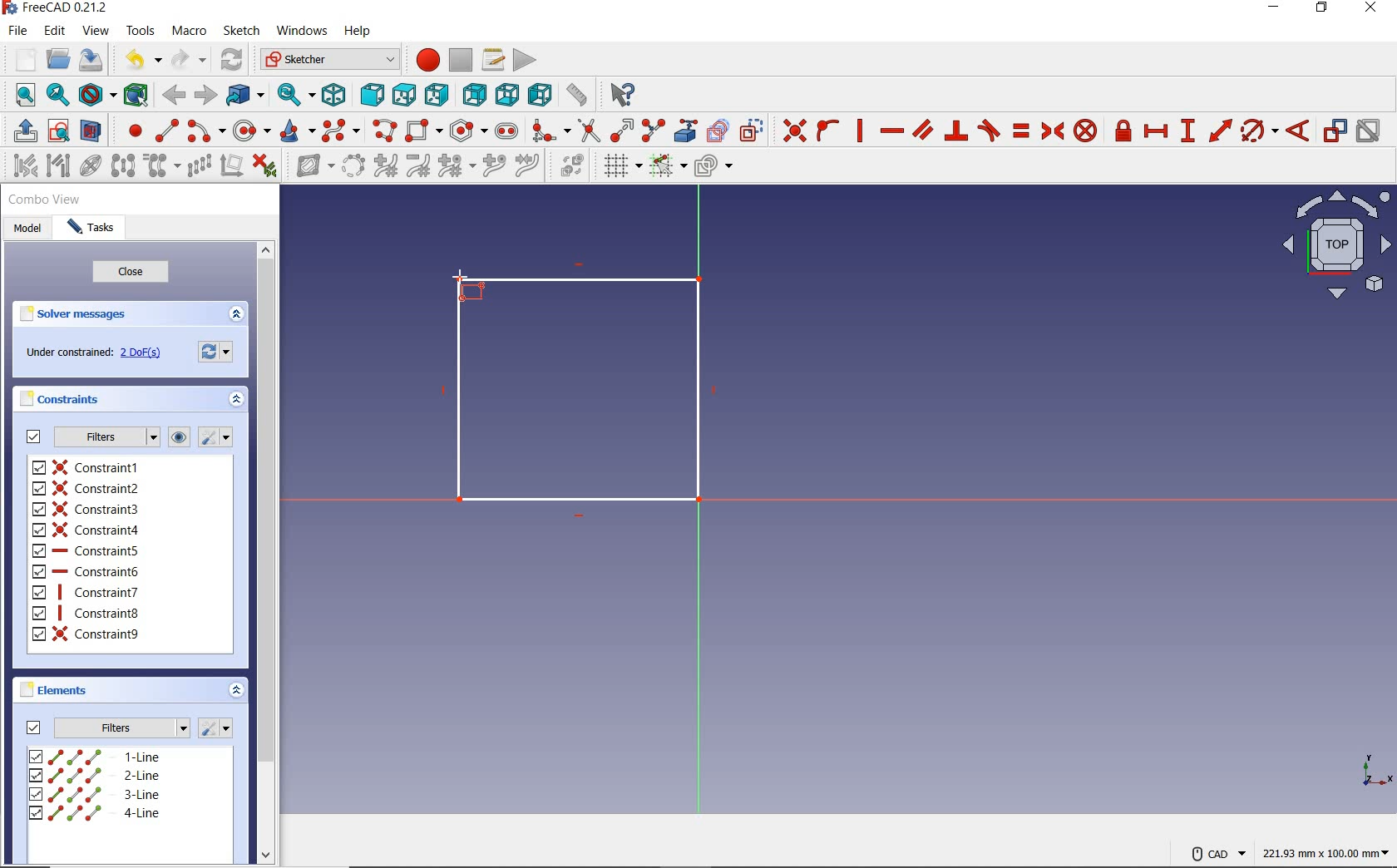 The height and width of the screenshot is (868, 1397). Describe the element at coordinates (426, 60) in the screenshot. I see `macro recording` at that location.